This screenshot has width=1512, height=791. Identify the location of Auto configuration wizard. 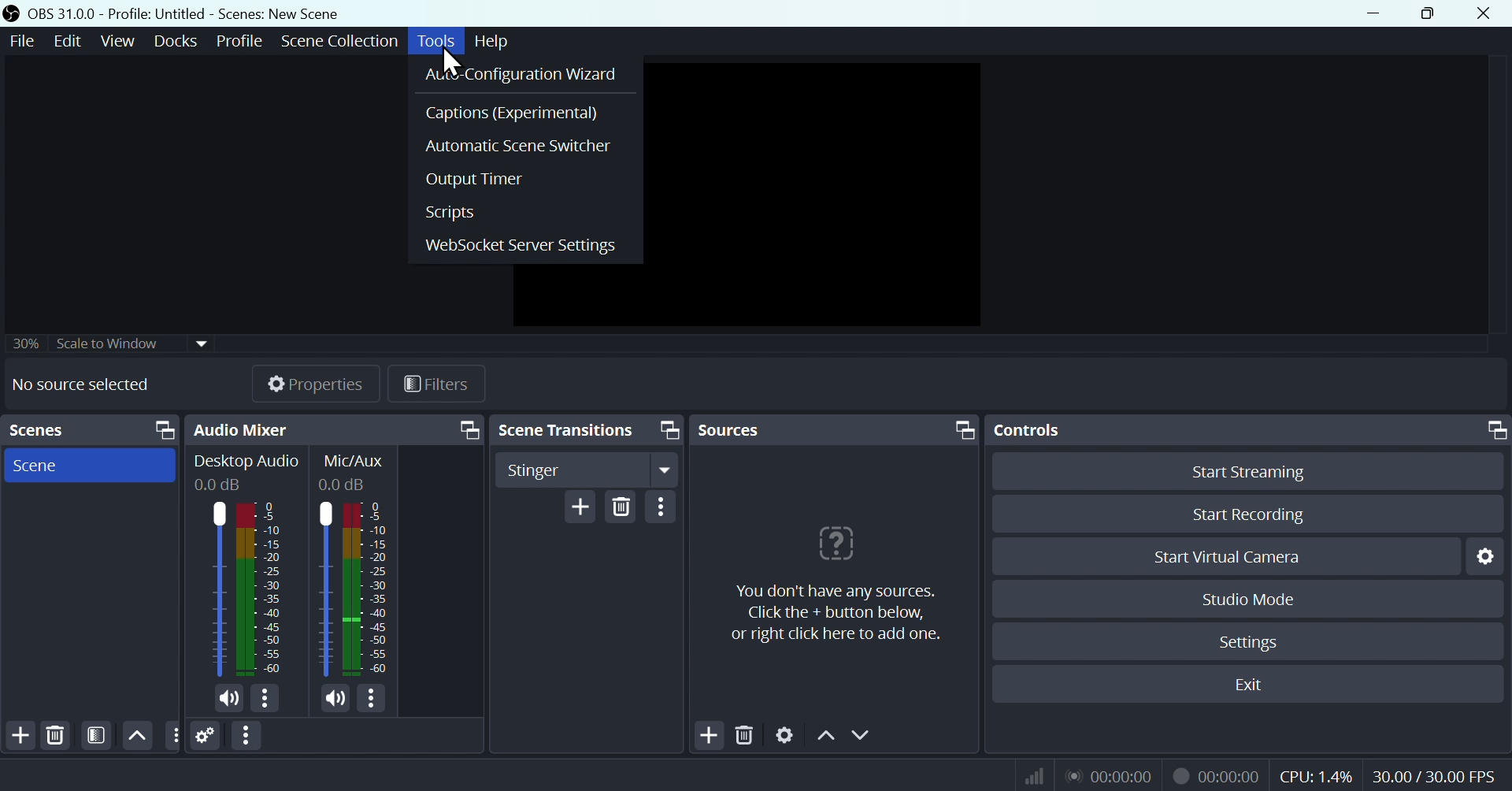
(525, 73).